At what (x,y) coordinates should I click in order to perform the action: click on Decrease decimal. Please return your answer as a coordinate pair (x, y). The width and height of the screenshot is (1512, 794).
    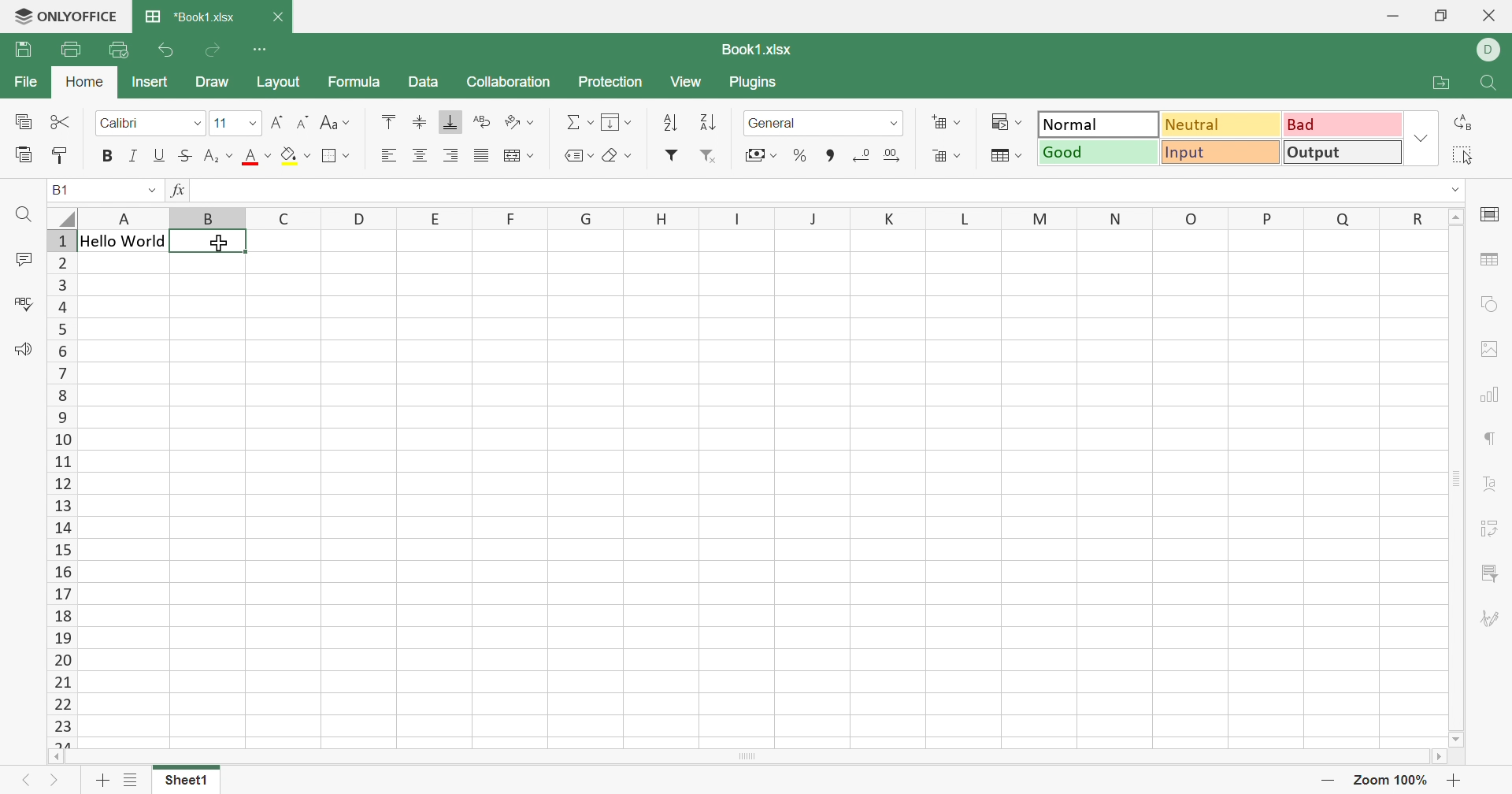
    Looking at the image, I should click on (860, 158).